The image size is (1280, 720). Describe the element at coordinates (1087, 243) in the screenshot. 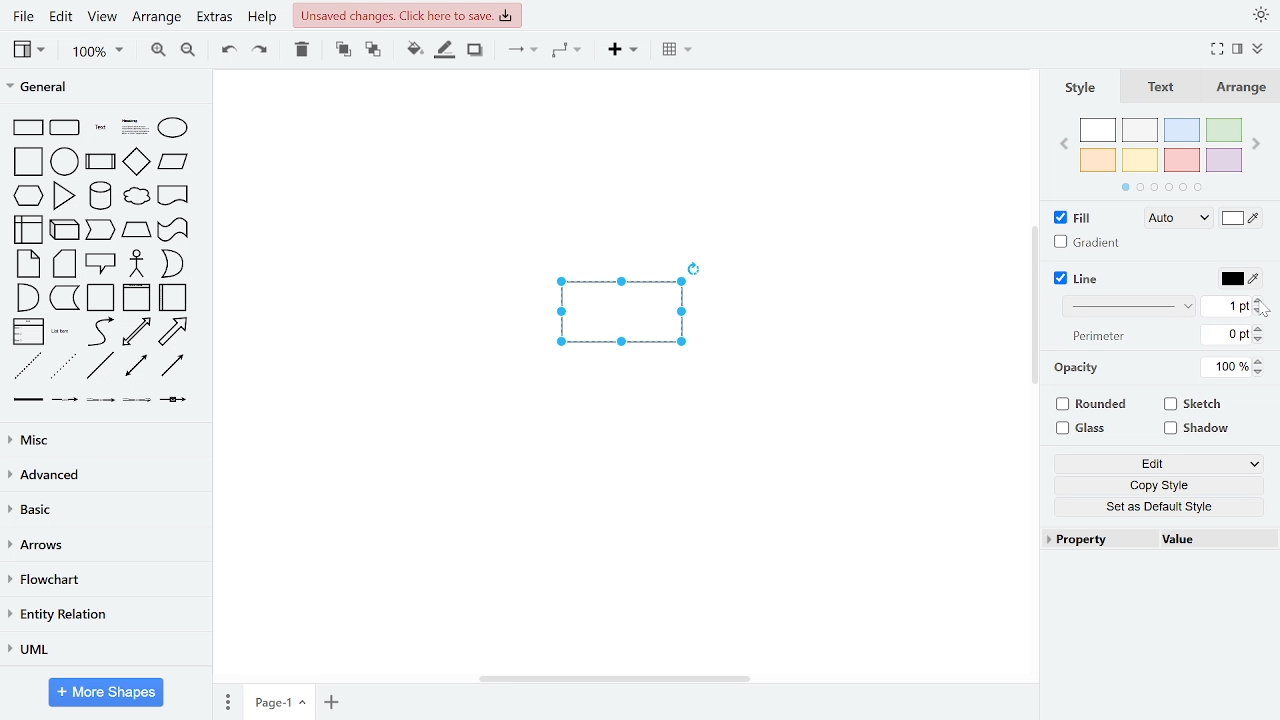

I see `gradient` at that location.